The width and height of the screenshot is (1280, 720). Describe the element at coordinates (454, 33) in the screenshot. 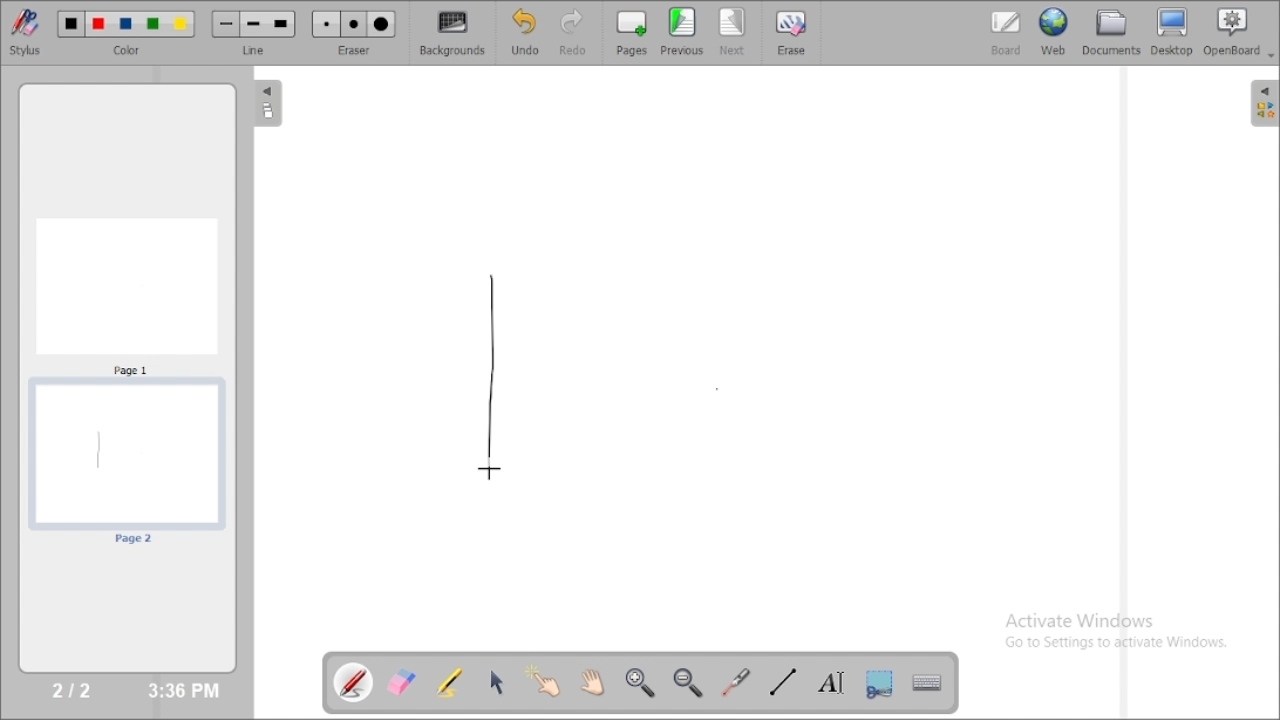

I see `backgrounds` at that location.